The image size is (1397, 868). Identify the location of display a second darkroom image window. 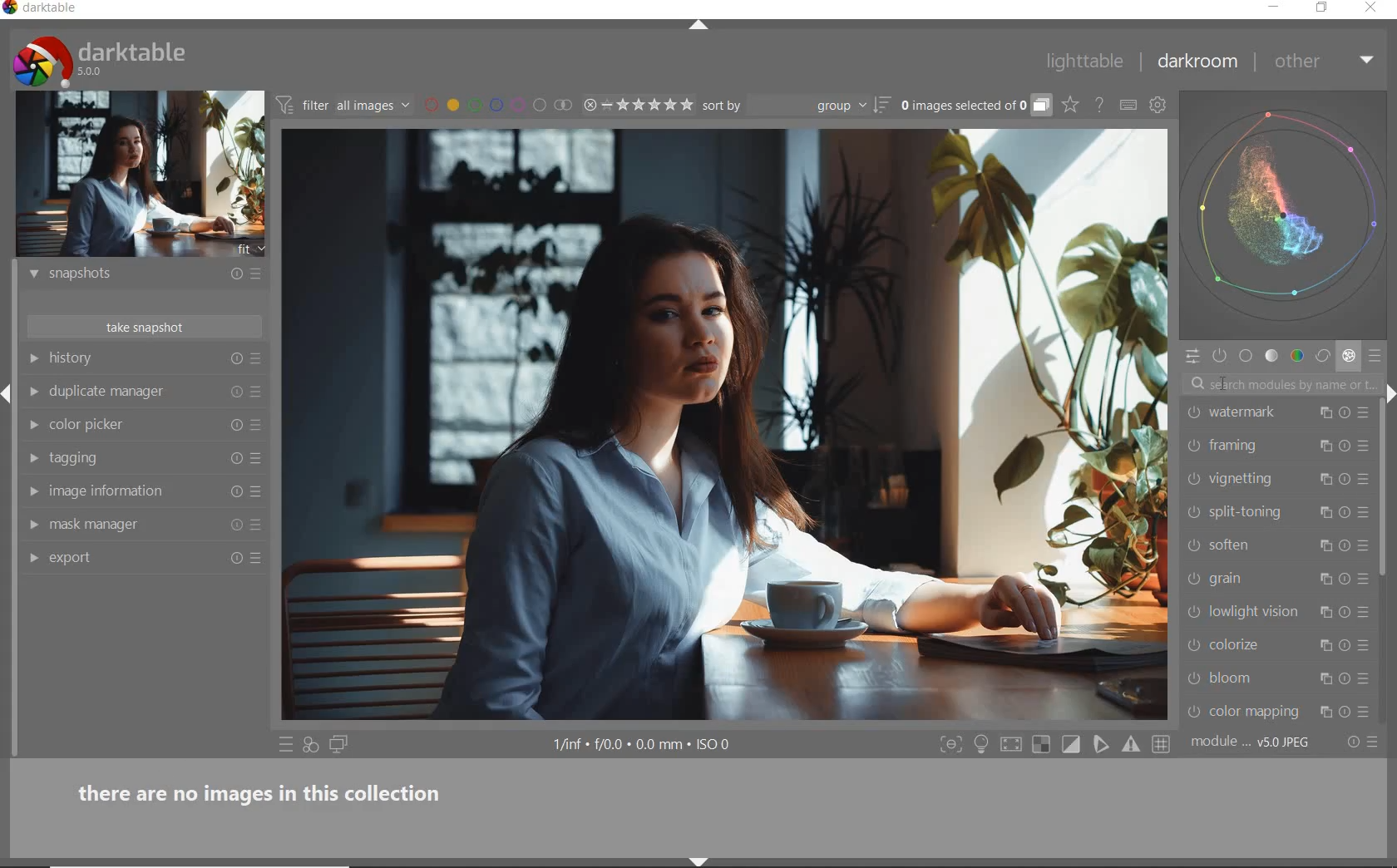
(339, 745).